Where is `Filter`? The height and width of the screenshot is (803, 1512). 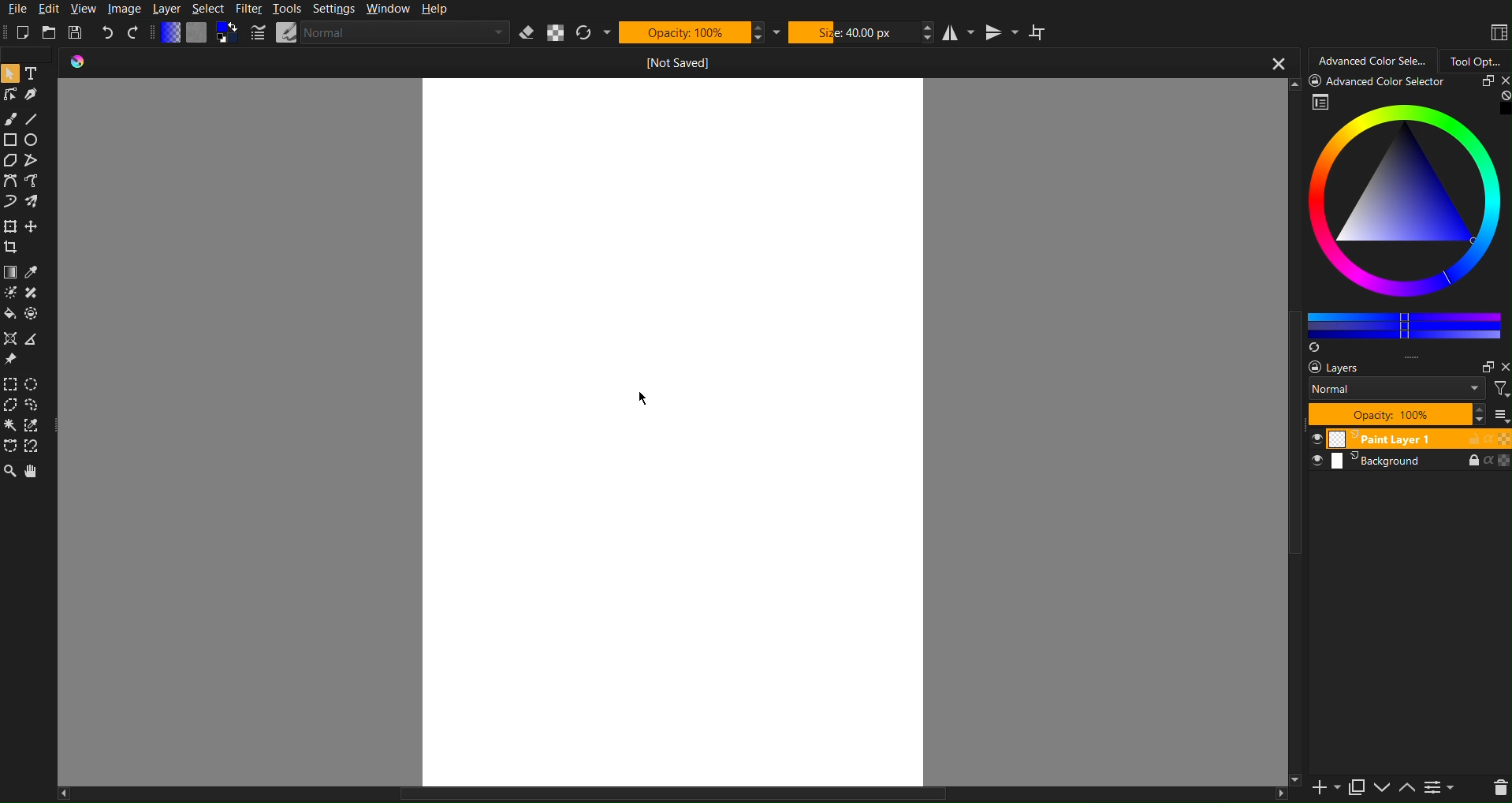 Filter is located at coordinates (1499, 387).